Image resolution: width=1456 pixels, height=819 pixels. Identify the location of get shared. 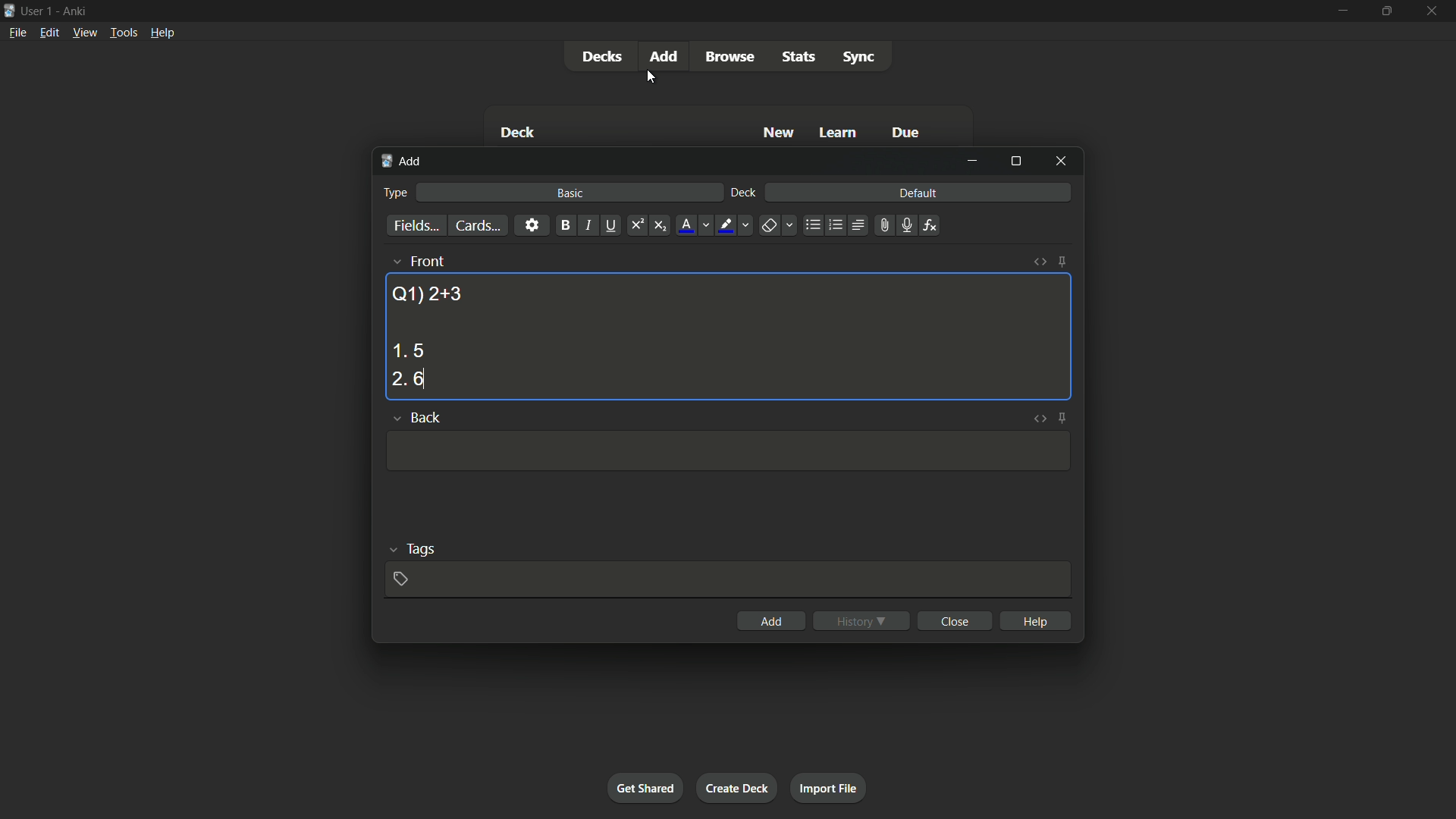
(645, 787).